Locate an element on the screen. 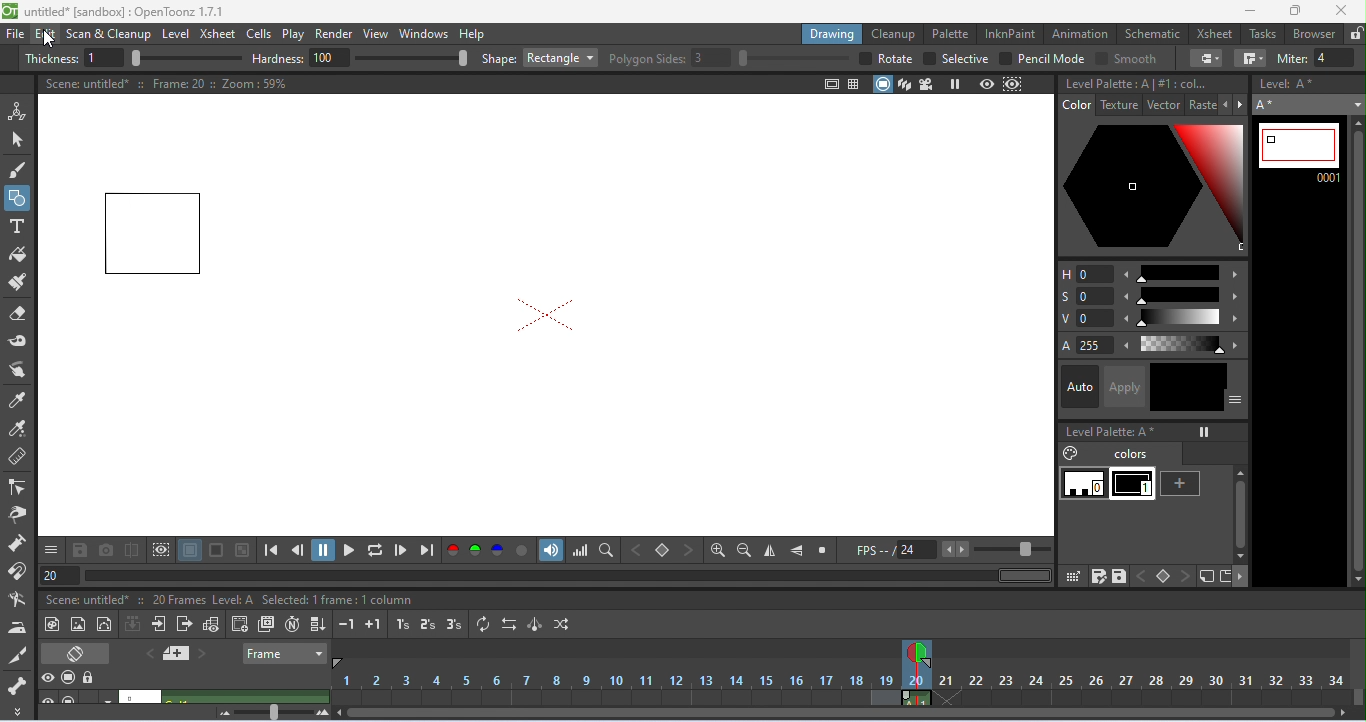 This screenshot has height=722, width=1366. frame is located at coordinates (282, 655).